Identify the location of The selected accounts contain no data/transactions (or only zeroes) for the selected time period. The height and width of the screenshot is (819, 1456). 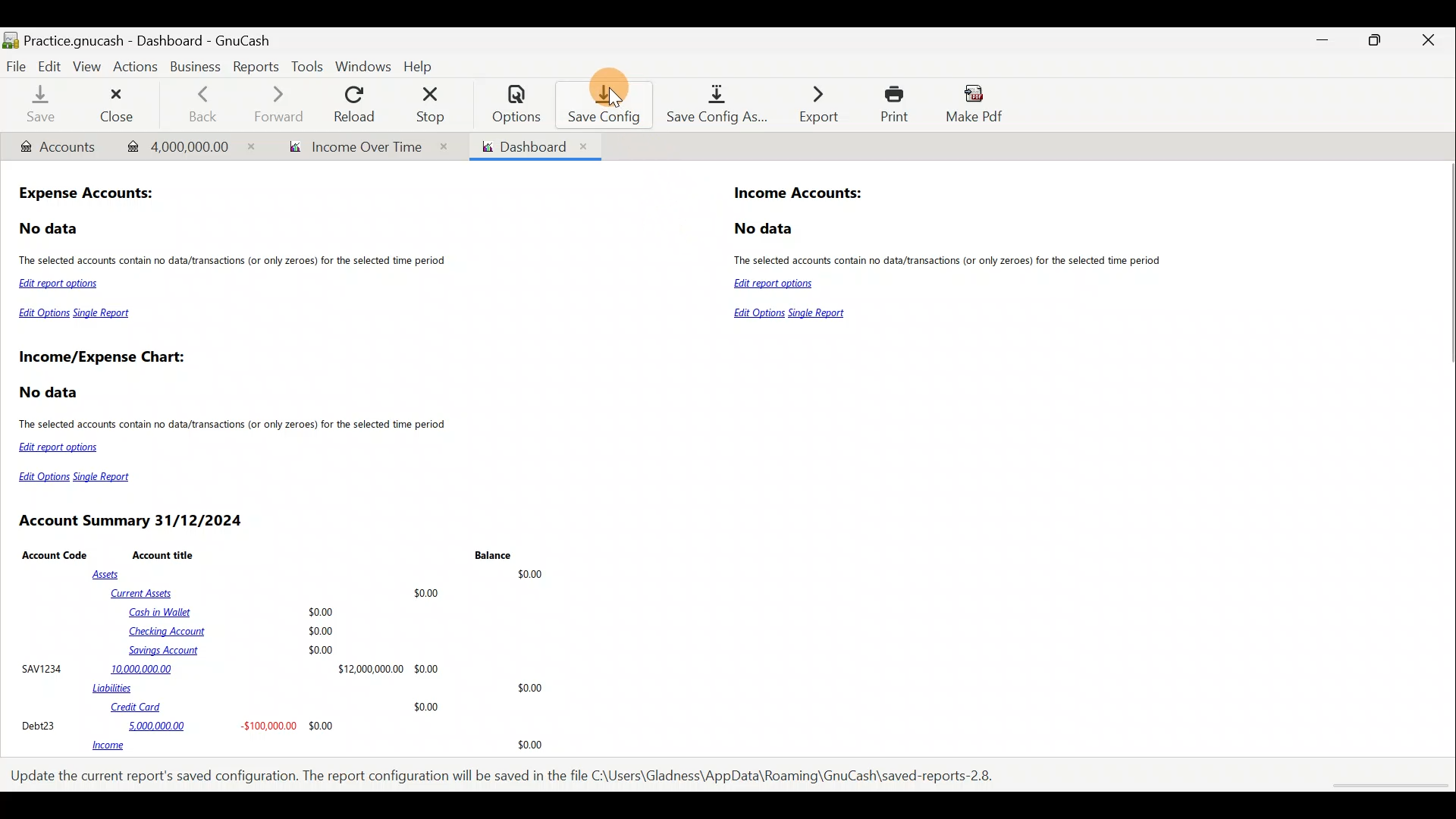
(954, 262).